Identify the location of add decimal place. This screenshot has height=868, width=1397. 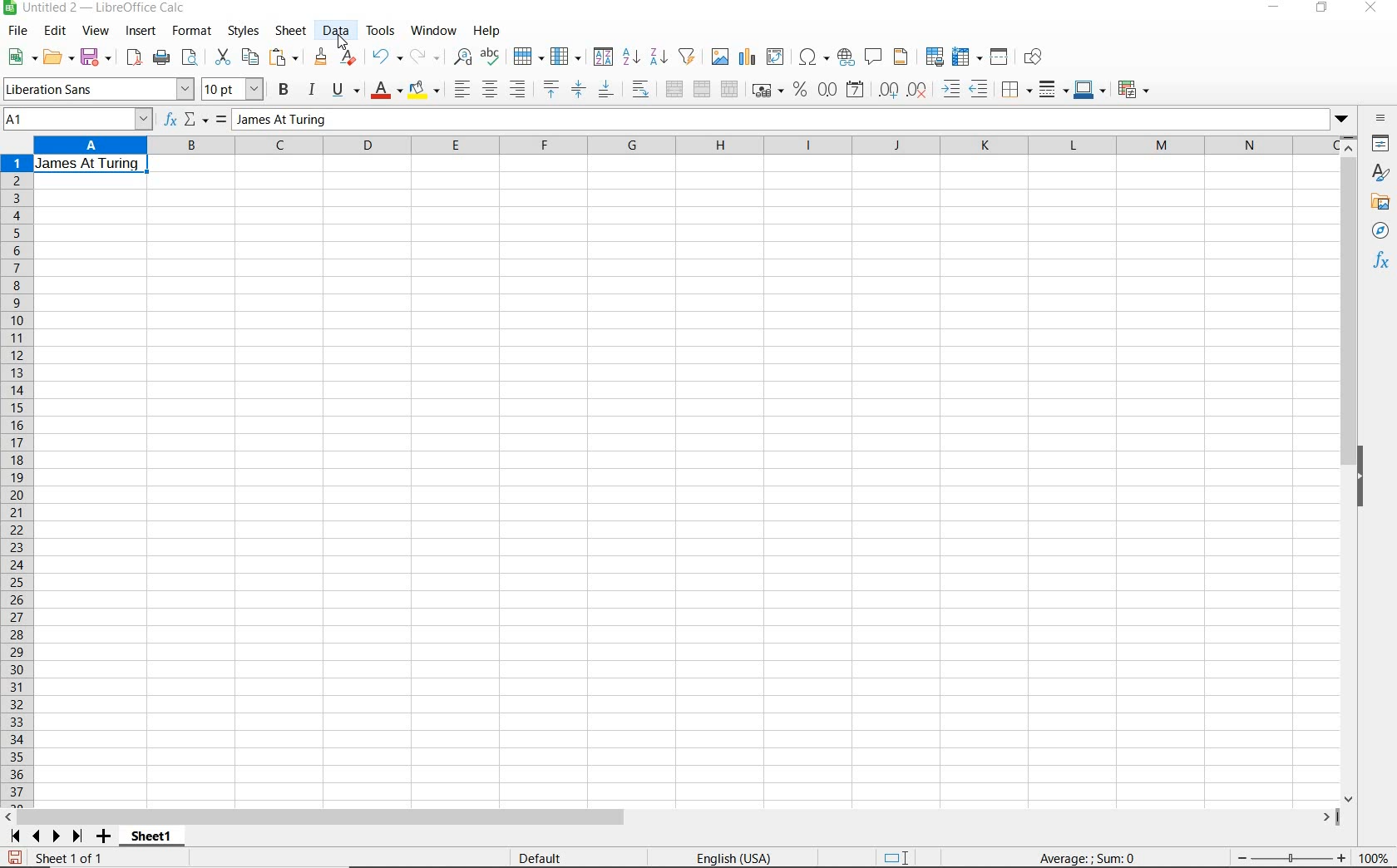
(892, 89).